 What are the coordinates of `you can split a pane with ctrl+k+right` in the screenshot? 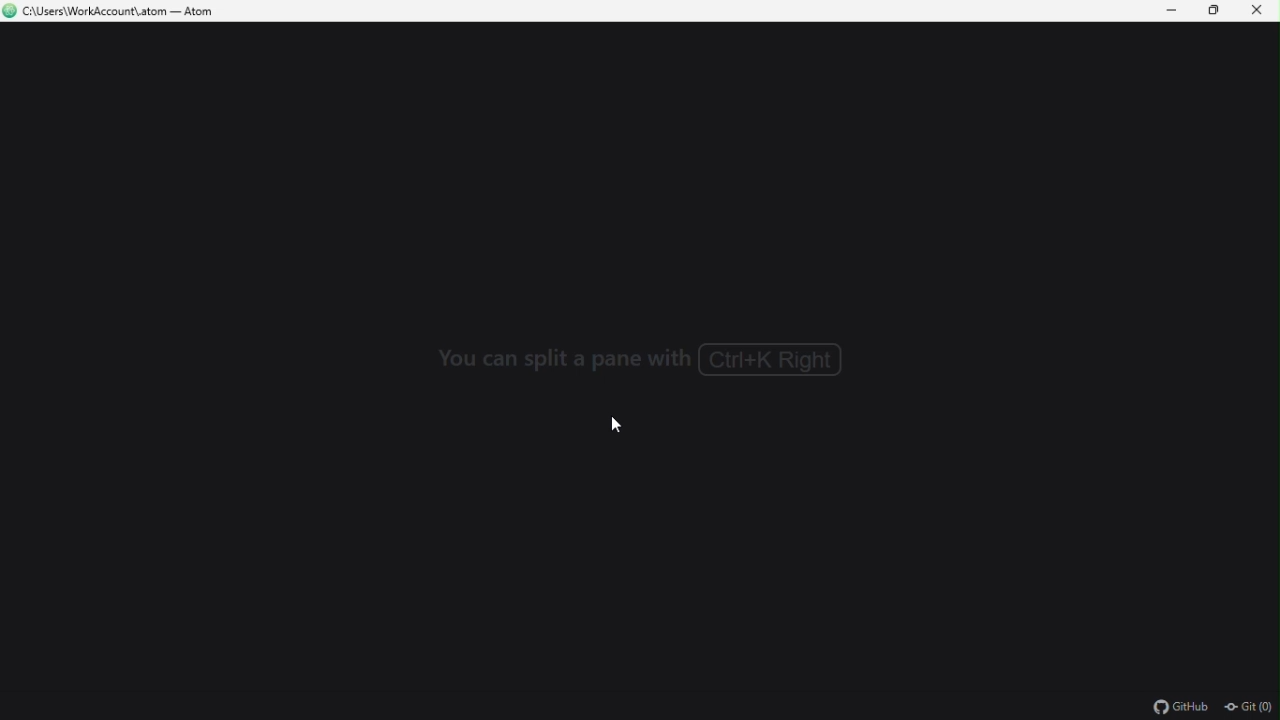 It's located at (656, 353).